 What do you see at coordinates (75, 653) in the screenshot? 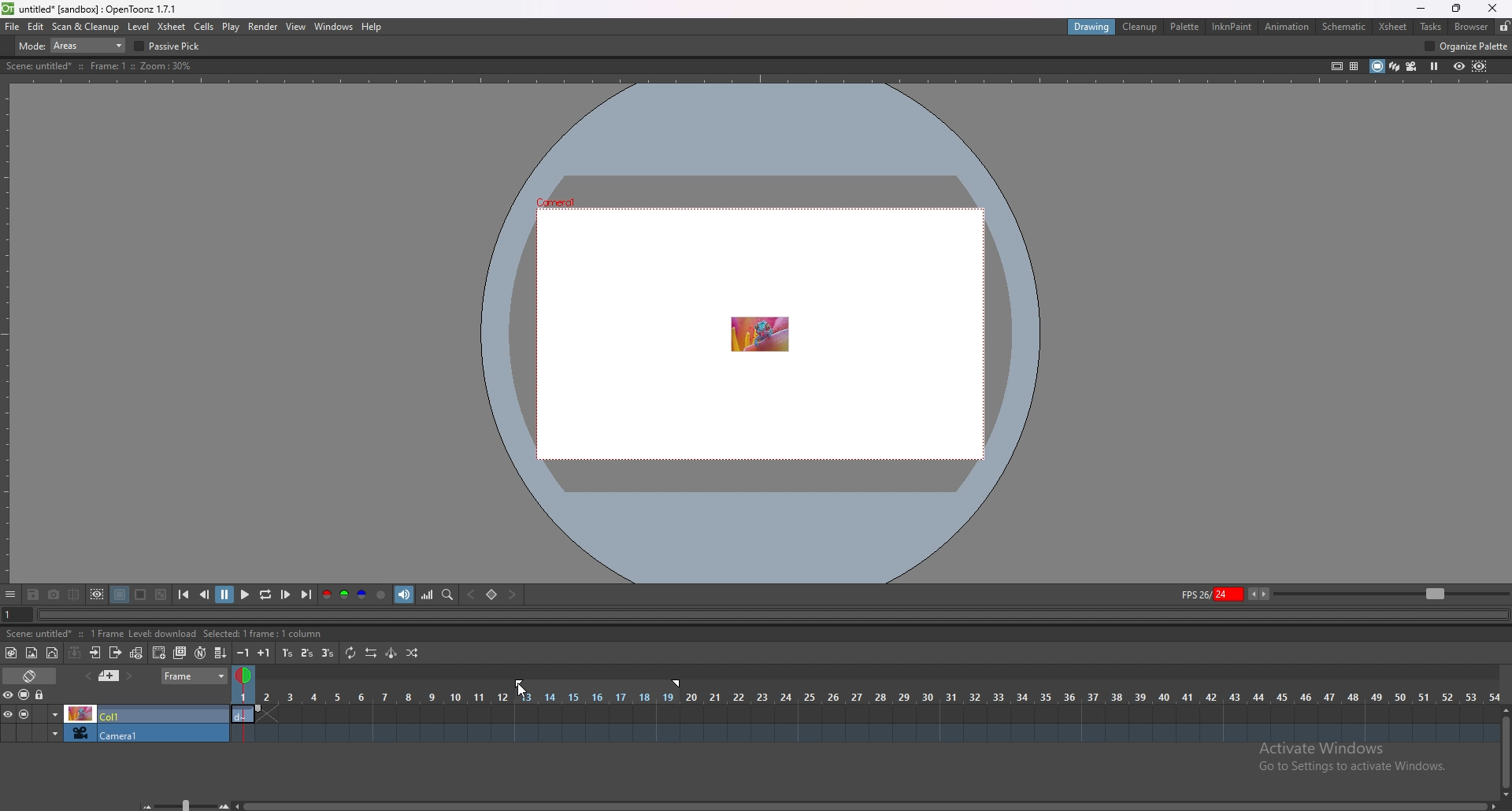
I see `collapse` at bounding box center [75, 653].